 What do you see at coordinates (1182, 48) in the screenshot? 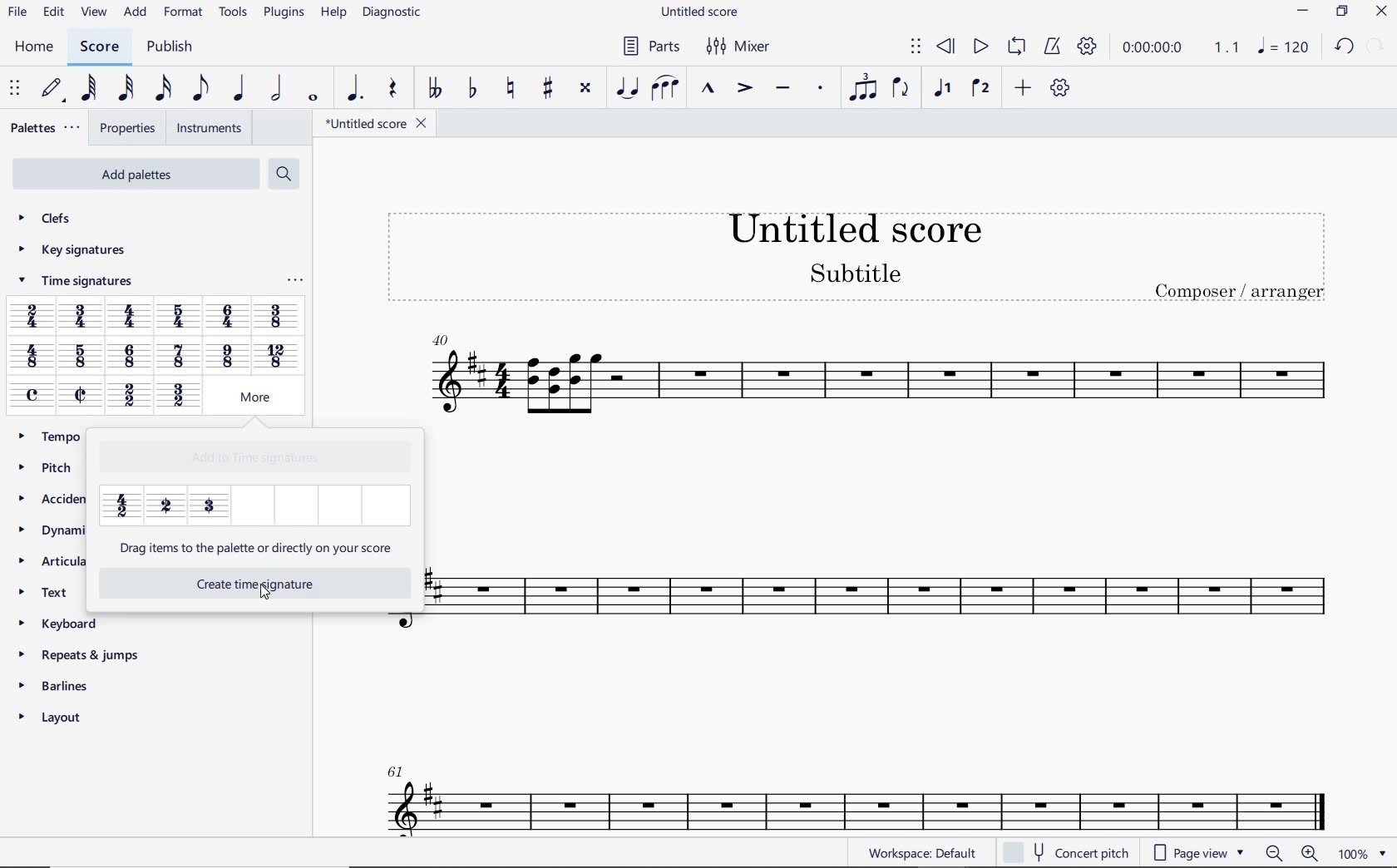
I see `PLAY SPEED` at bounding box center [1182, 48].